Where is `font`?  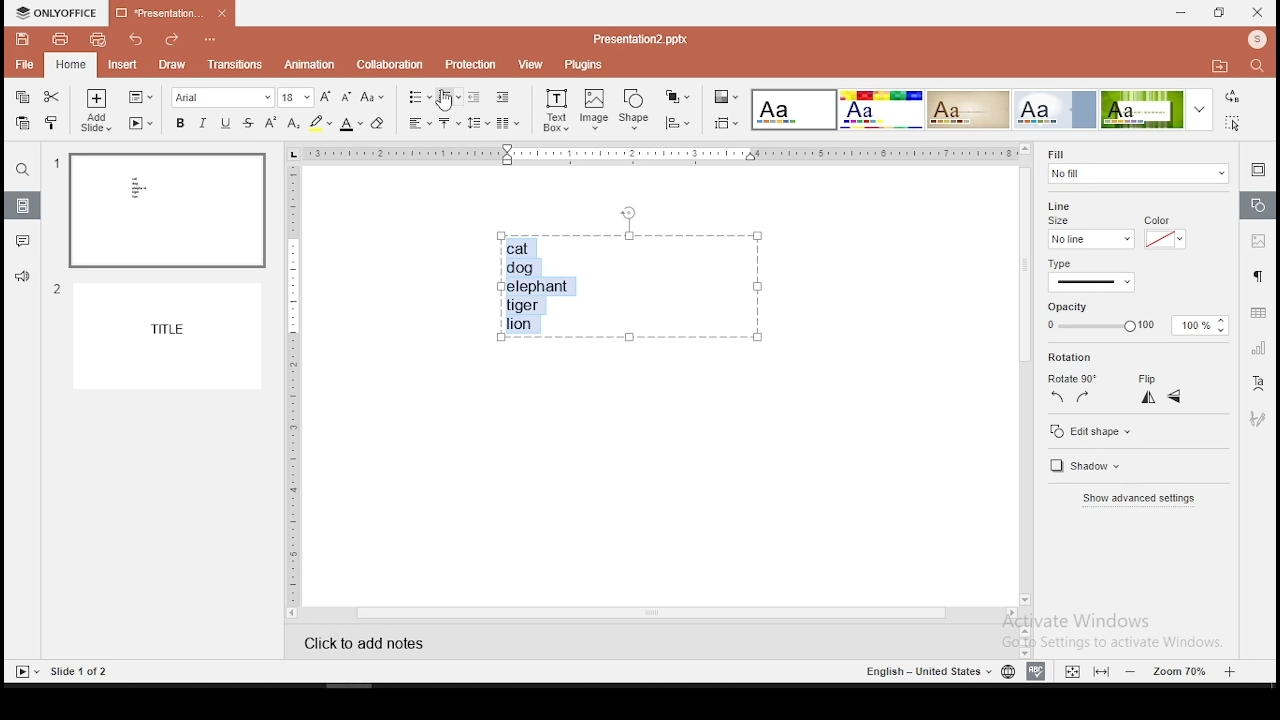
font is located at coordinates (220, 97).